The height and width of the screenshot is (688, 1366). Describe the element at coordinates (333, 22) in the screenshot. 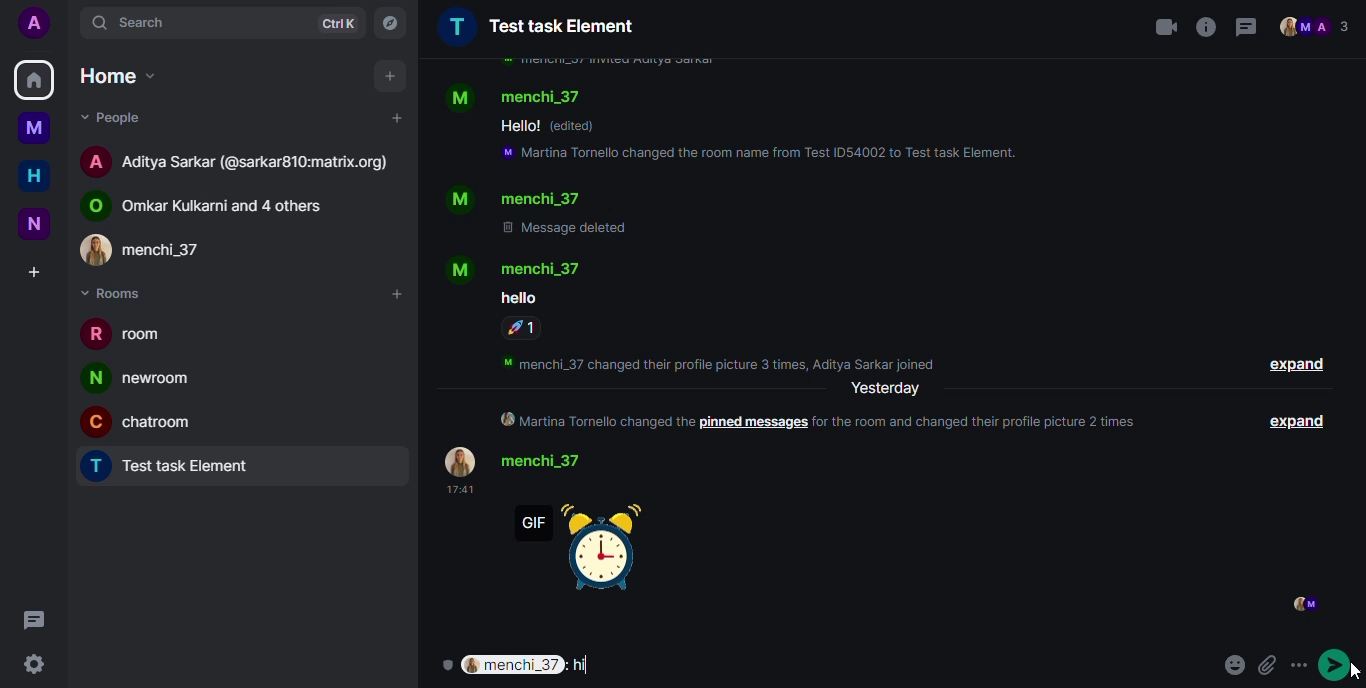

I see `ctrlK` at that location.